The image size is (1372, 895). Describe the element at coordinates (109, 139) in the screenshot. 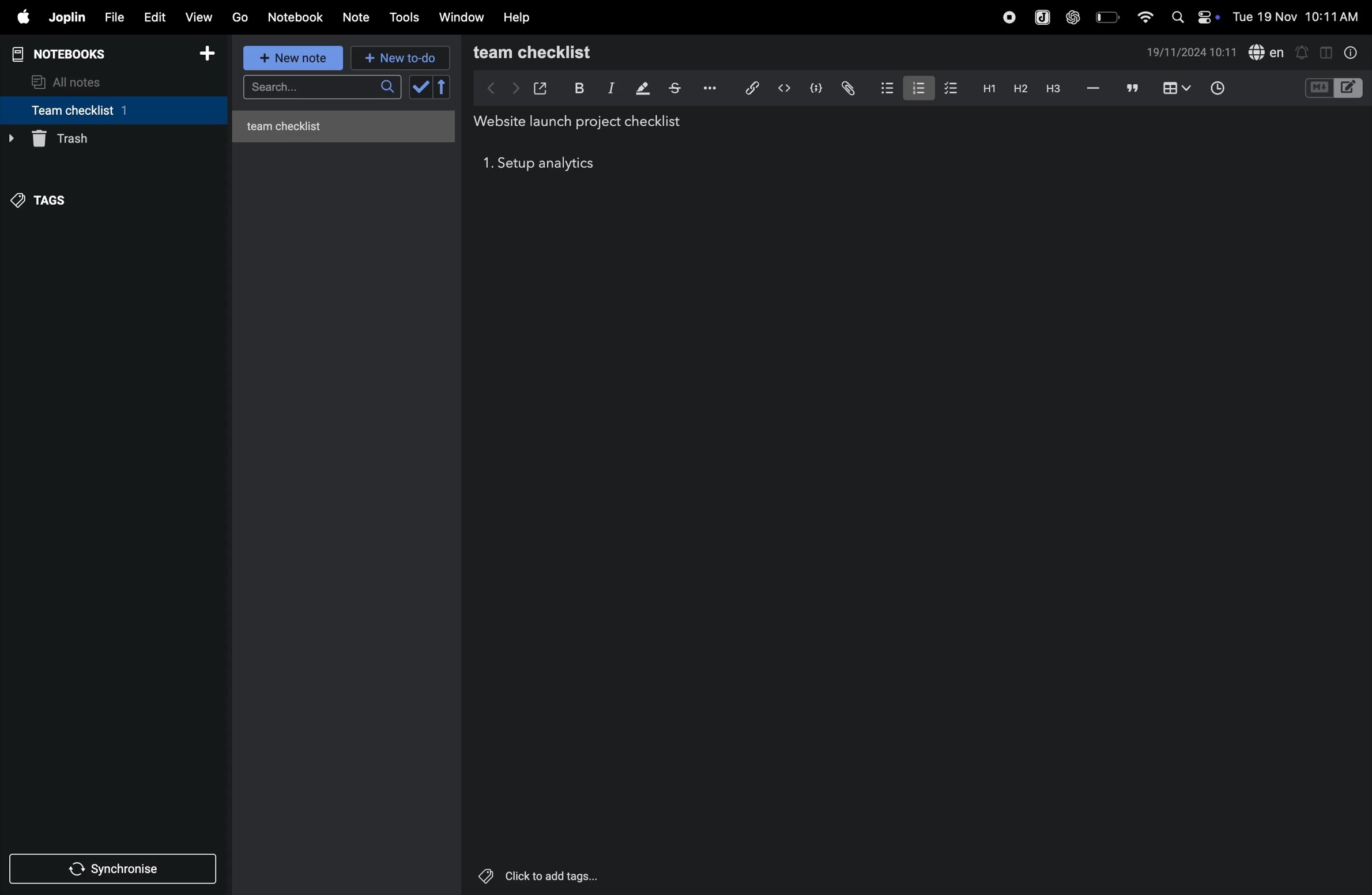

I see `trash` at that location.